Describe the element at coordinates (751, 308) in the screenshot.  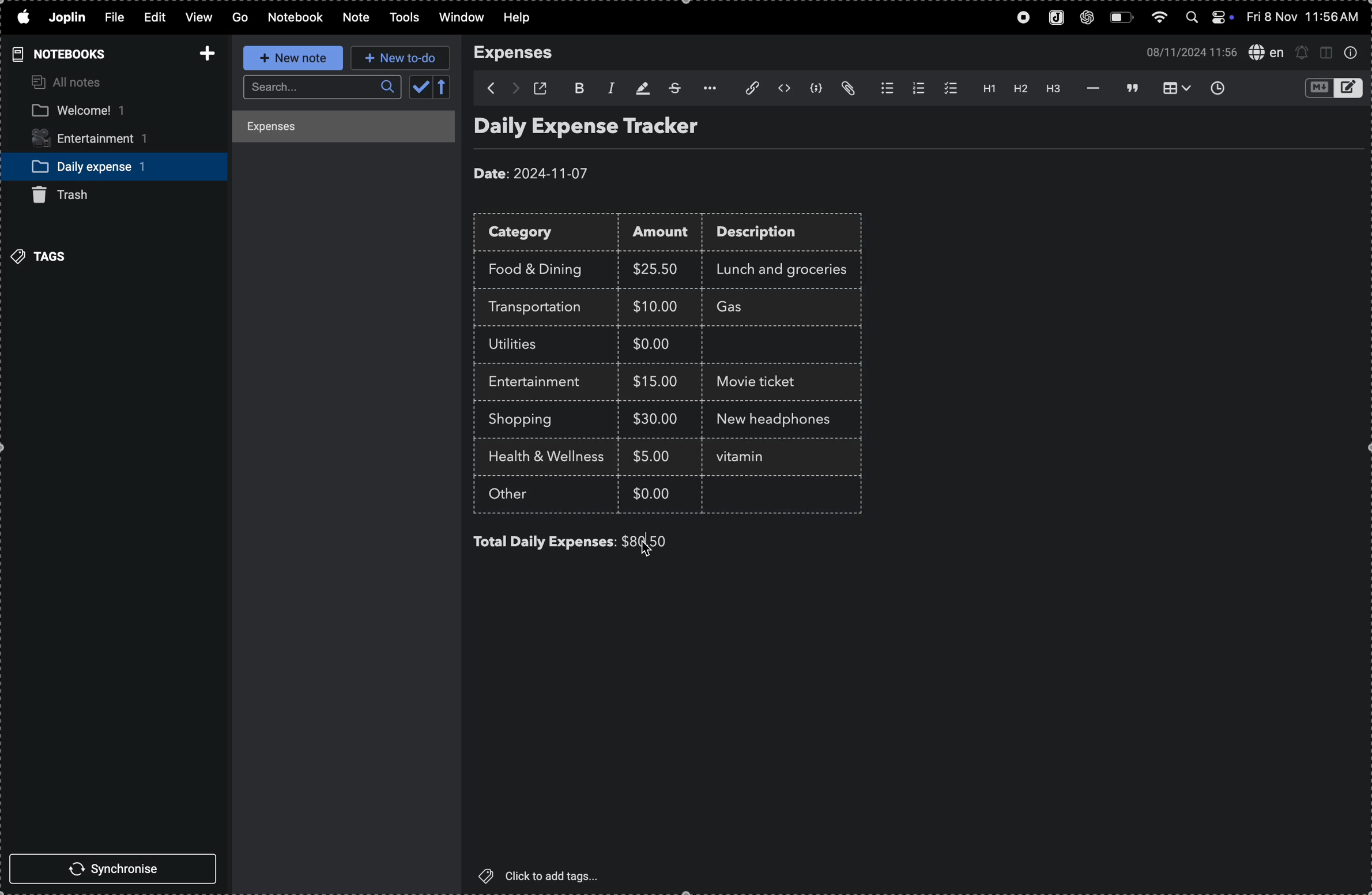
I see `Gas` at that location.